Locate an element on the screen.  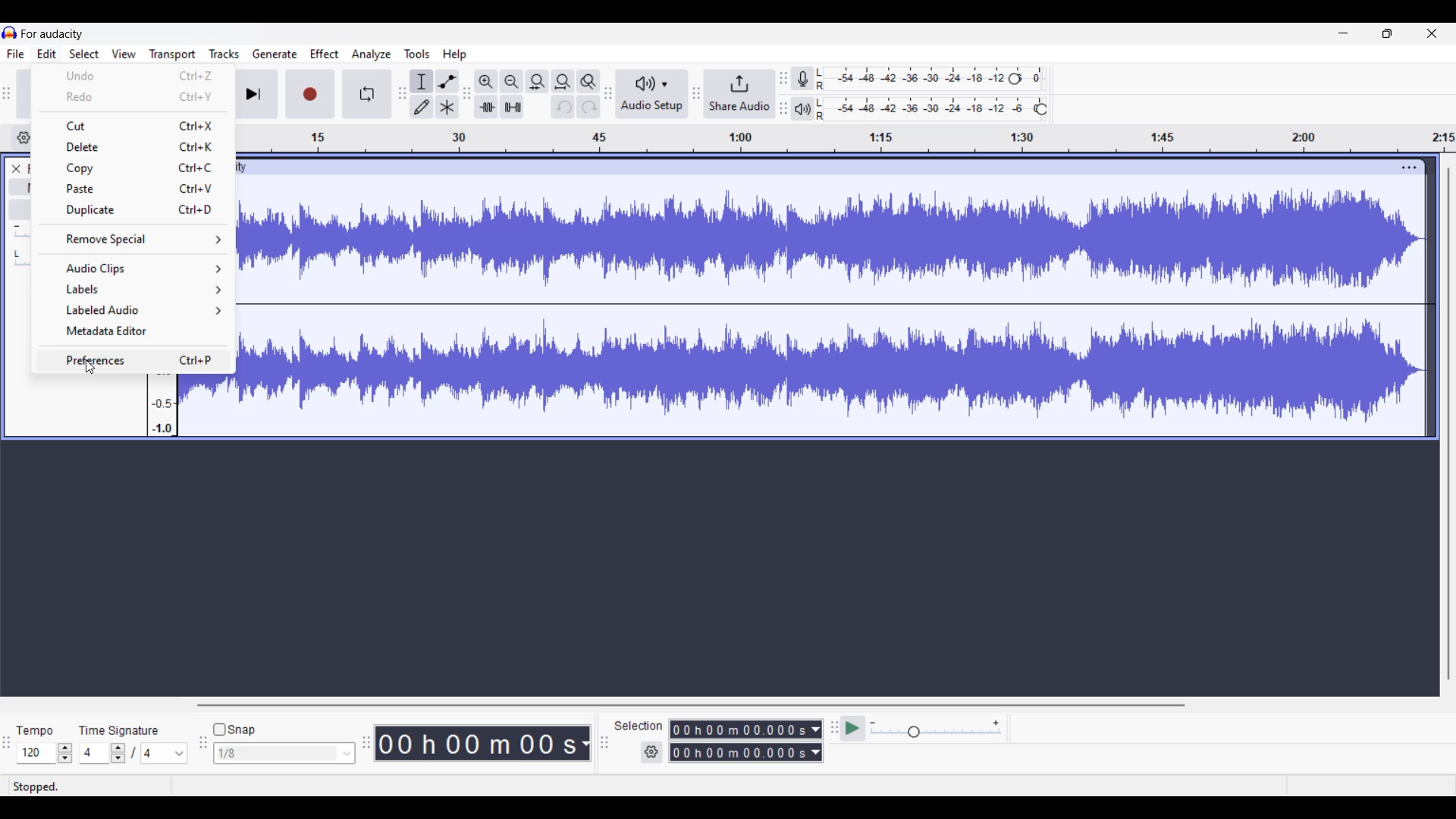
Cut is located at coordinates (140, 127).